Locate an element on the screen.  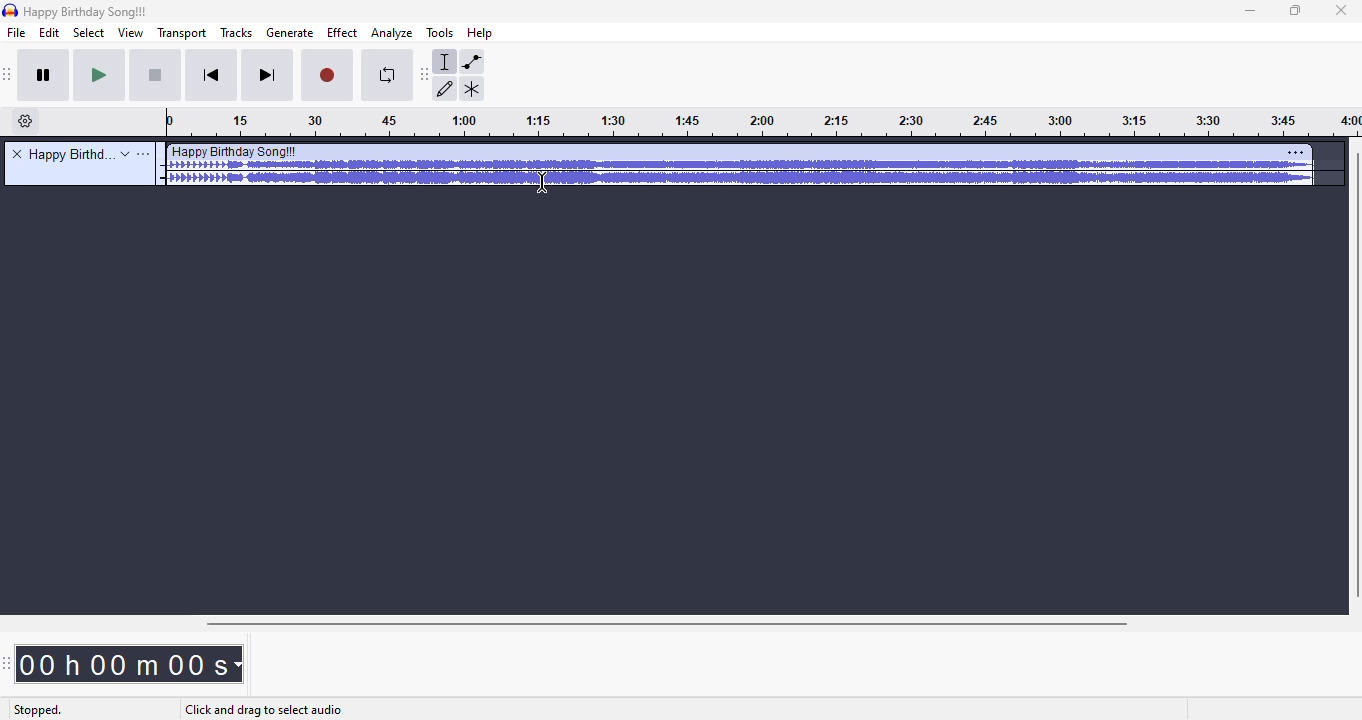
click and drag to select audio is located at coordinates (263, 711).